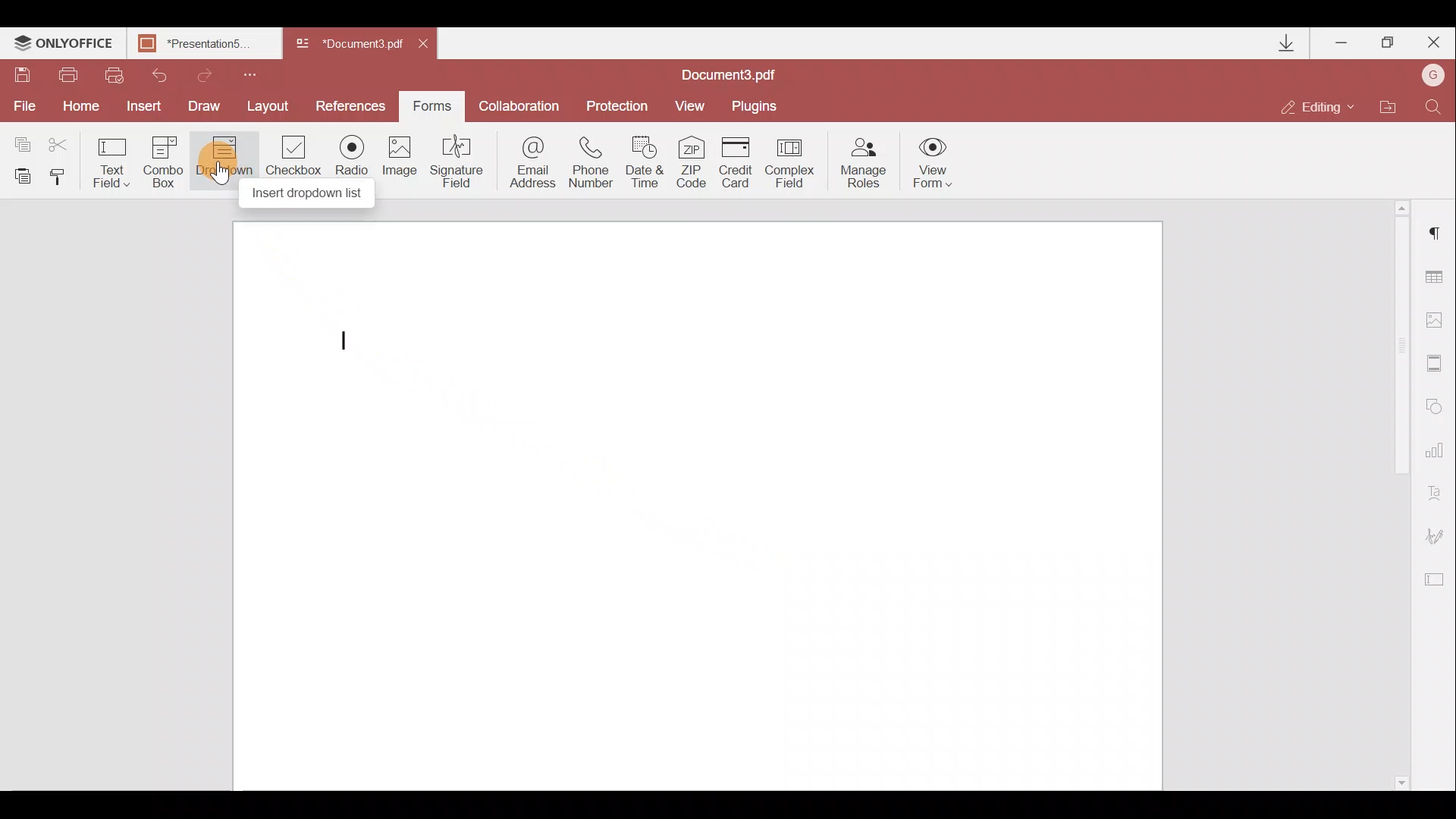  I want to click on Copy style, so click(63, 180).